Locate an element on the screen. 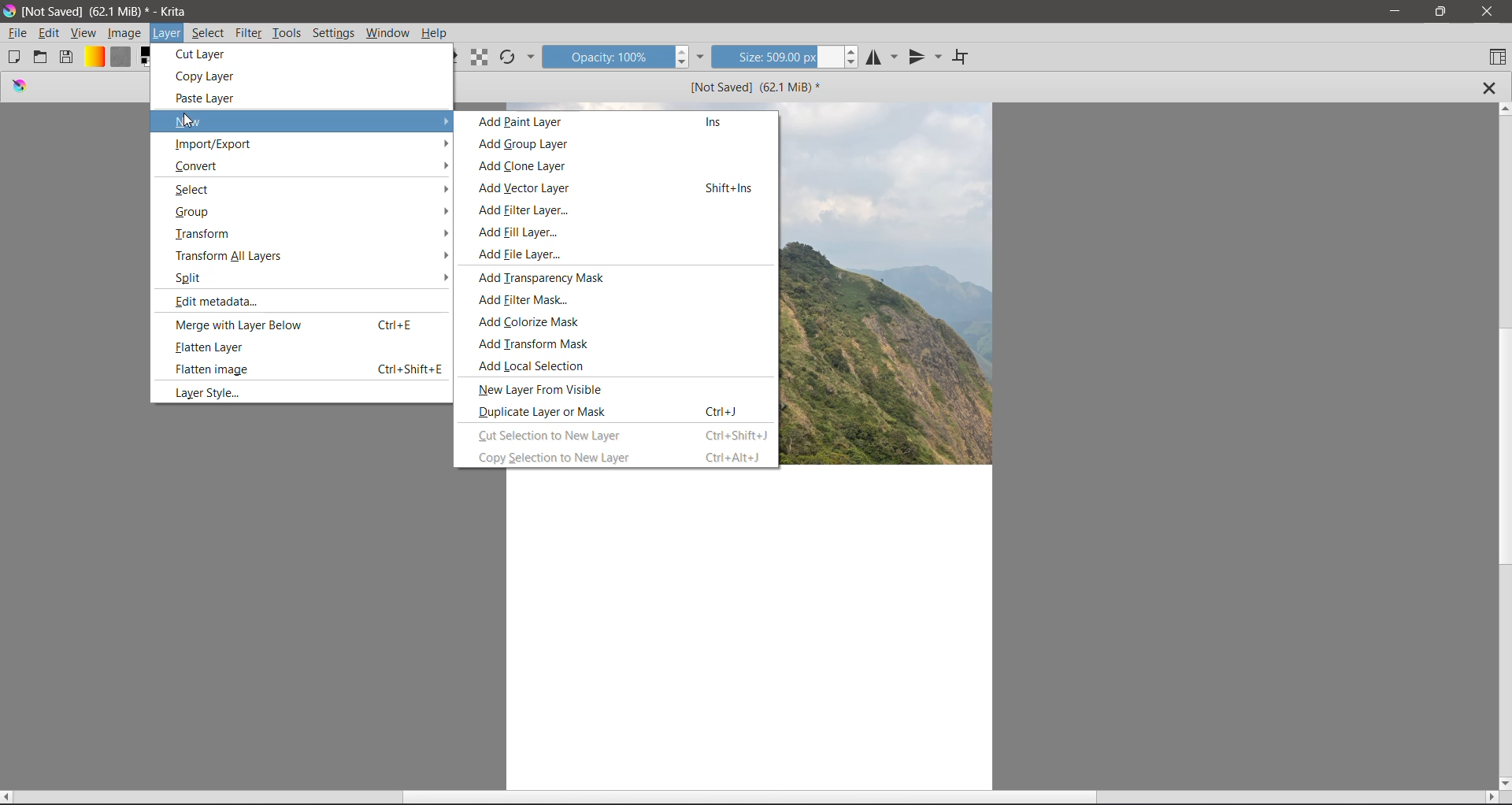 This screenshot has height=805, width=1512. Transform All Layers is located at coordinates (309, 254).